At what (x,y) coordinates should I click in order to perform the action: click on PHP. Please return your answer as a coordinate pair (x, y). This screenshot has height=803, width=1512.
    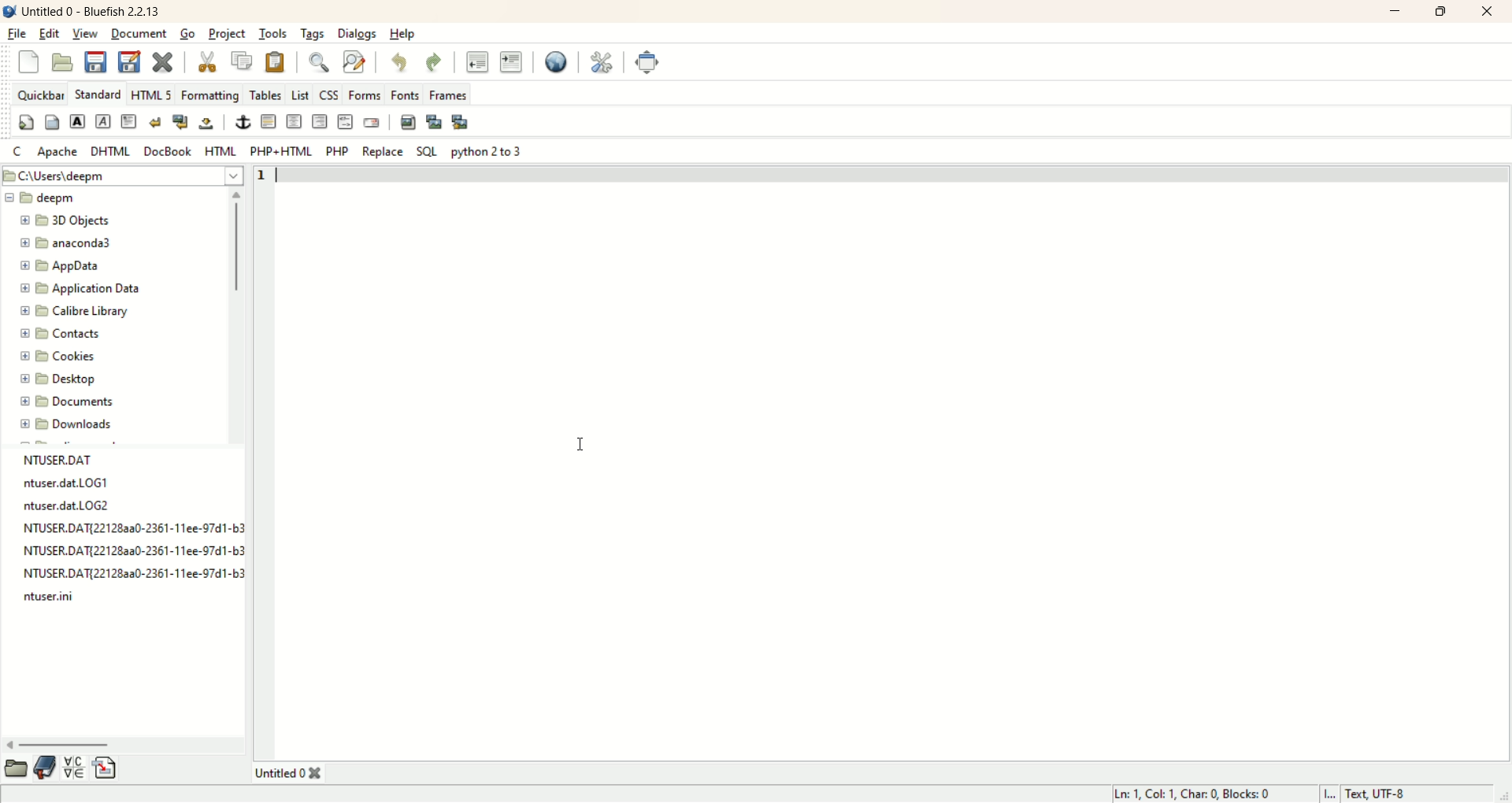
    Looking at the image, I should click on (339, 152).